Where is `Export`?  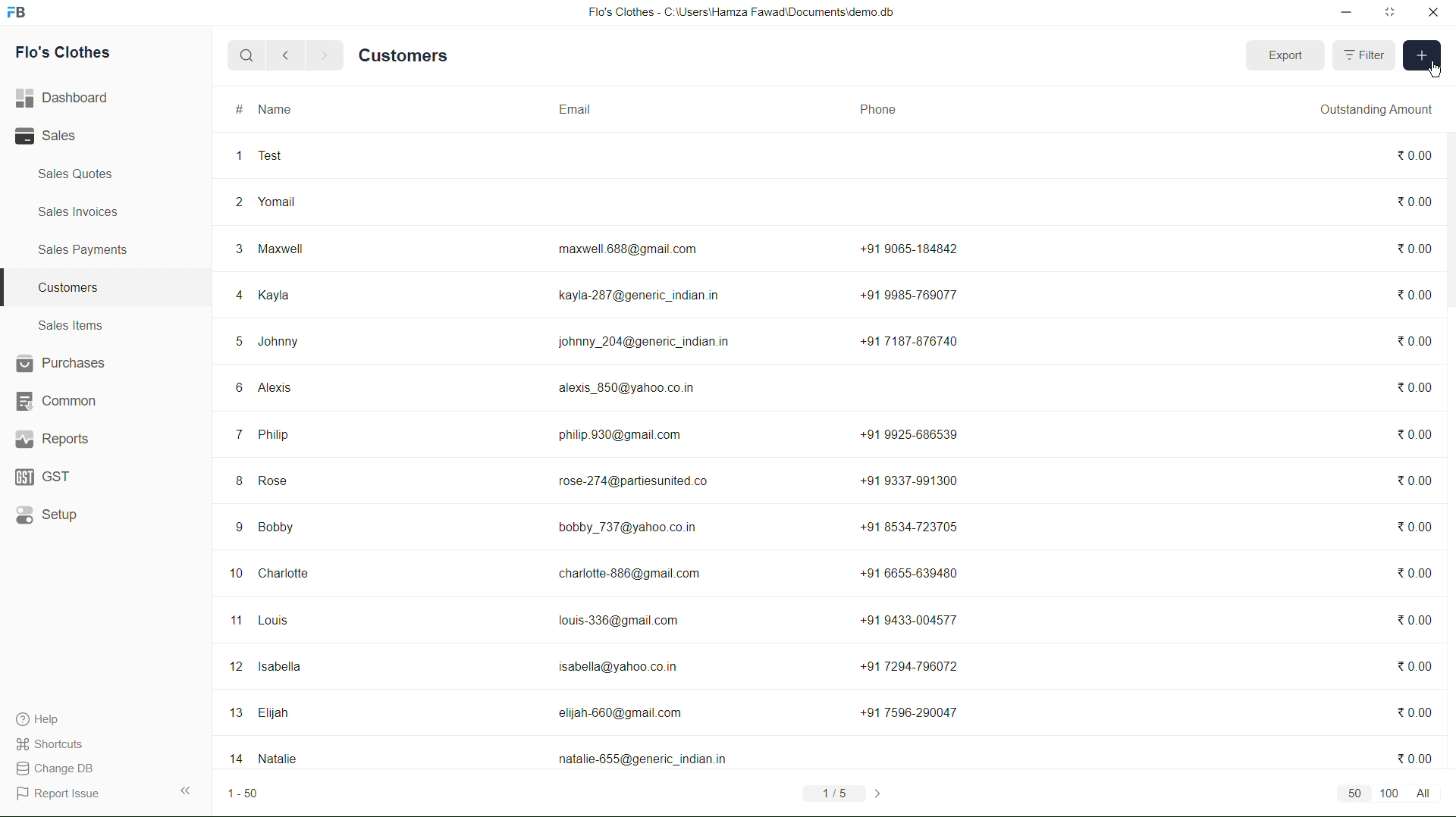
Export is located at coordinates (1283, 53).